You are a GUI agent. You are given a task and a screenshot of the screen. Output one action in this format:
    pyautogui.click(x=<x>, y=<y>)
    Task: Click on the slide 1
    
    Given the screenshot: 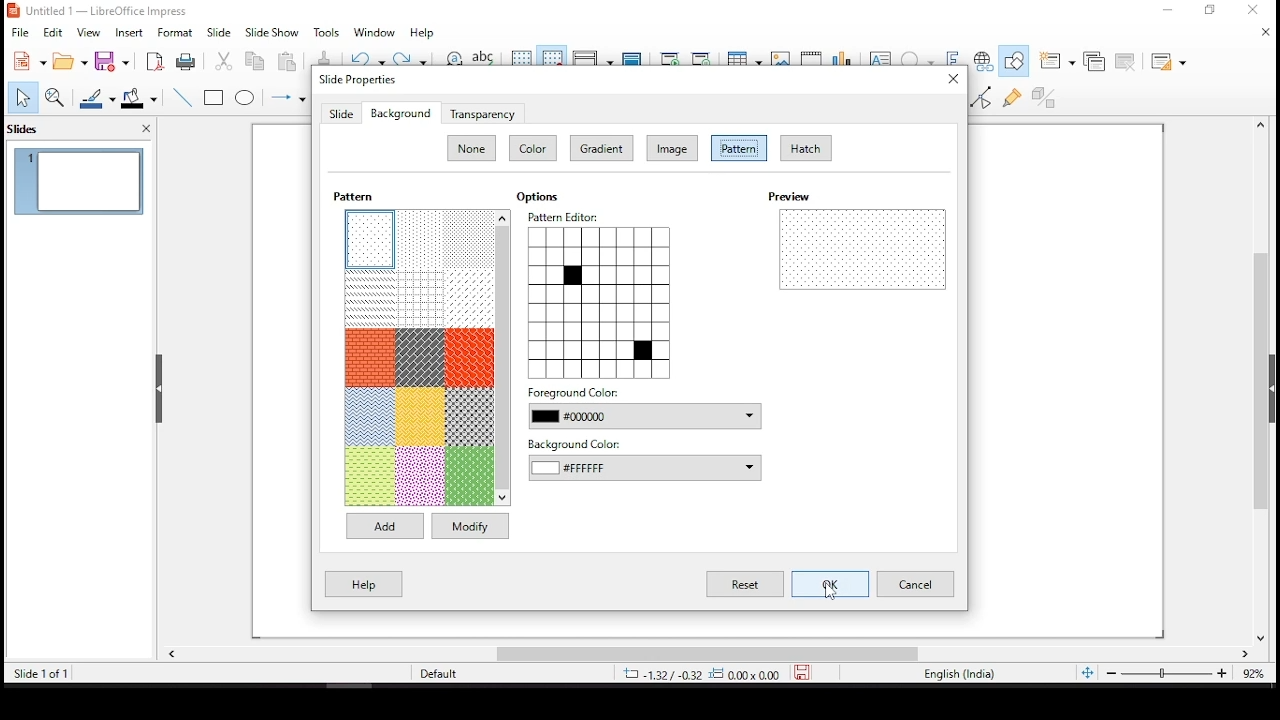 What is the action you would take?
    pyautogui.click(x=79, y=181)
    